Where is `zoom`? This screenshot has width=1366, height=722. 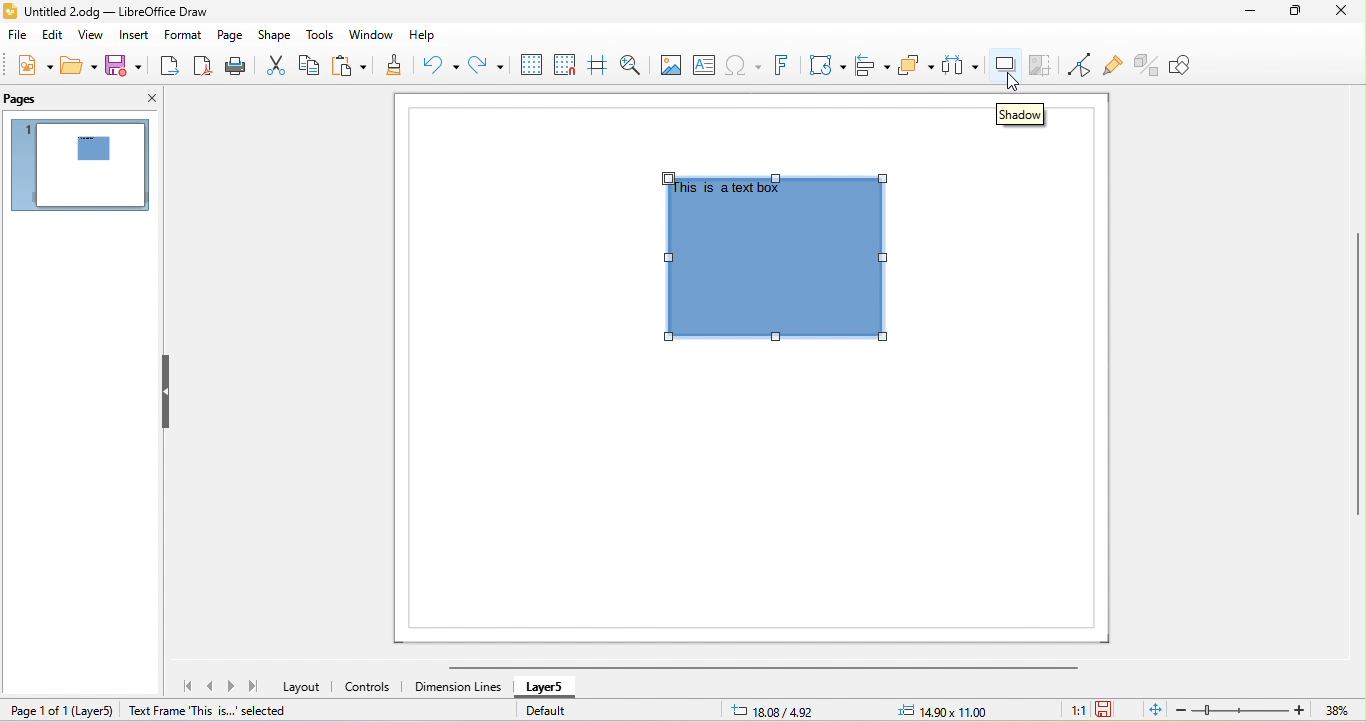
zoom is located at coordinates (1240, 710).